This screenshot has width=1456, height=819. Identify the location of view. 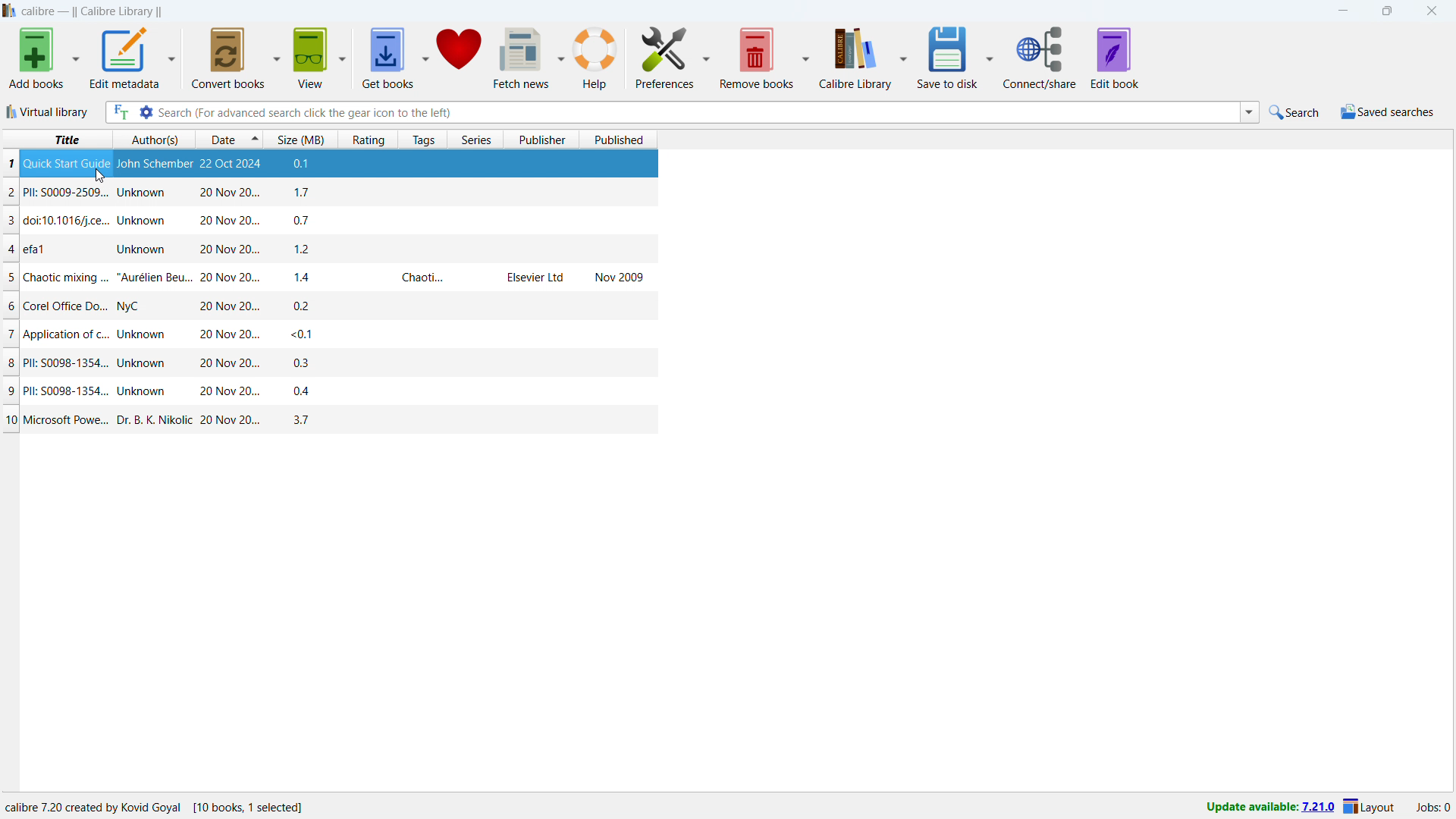
(311, 57).